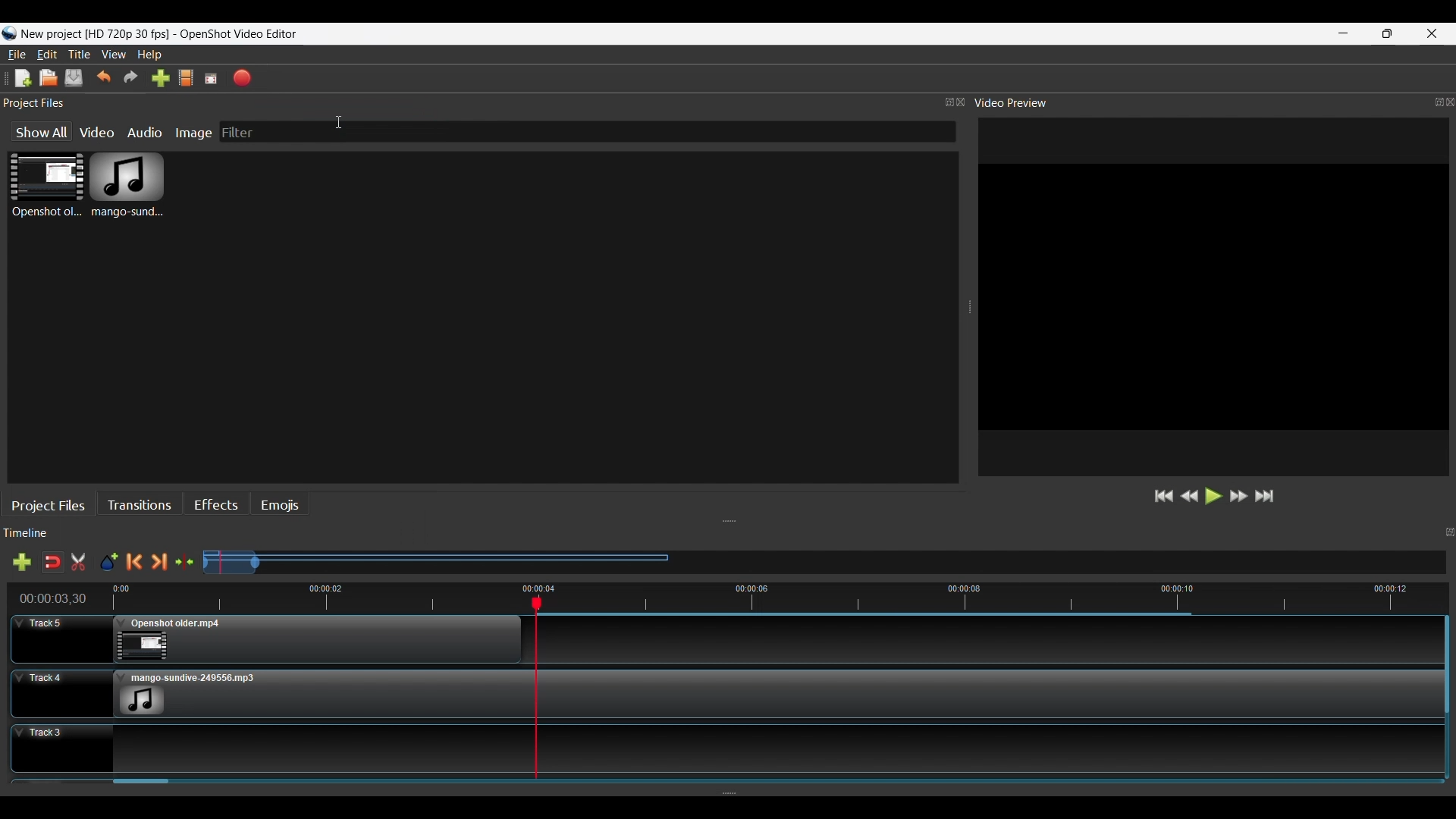  I want to click on Emojis, so click(281, 501).